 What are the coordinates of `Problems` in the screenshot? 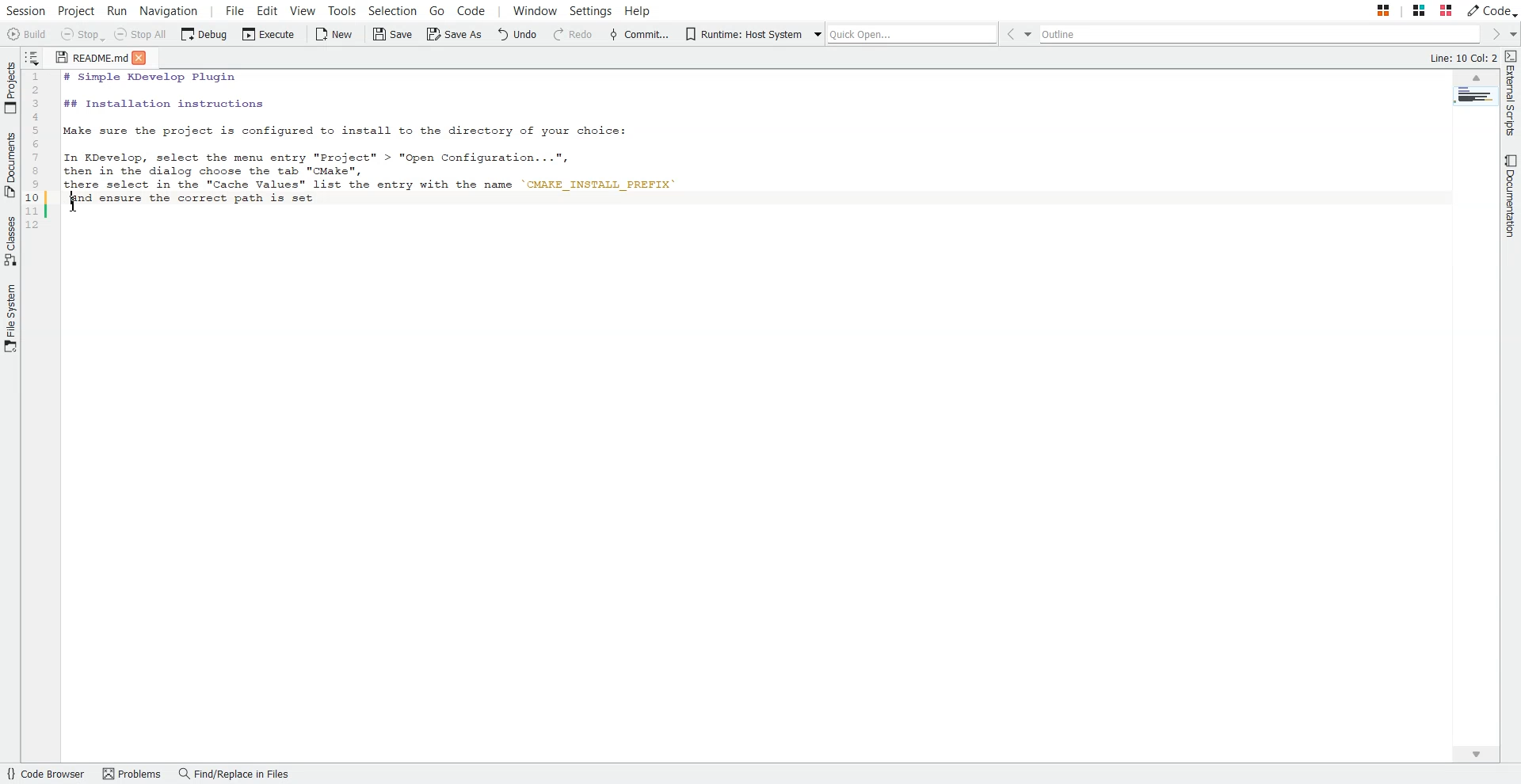 It's located at (132, 774).